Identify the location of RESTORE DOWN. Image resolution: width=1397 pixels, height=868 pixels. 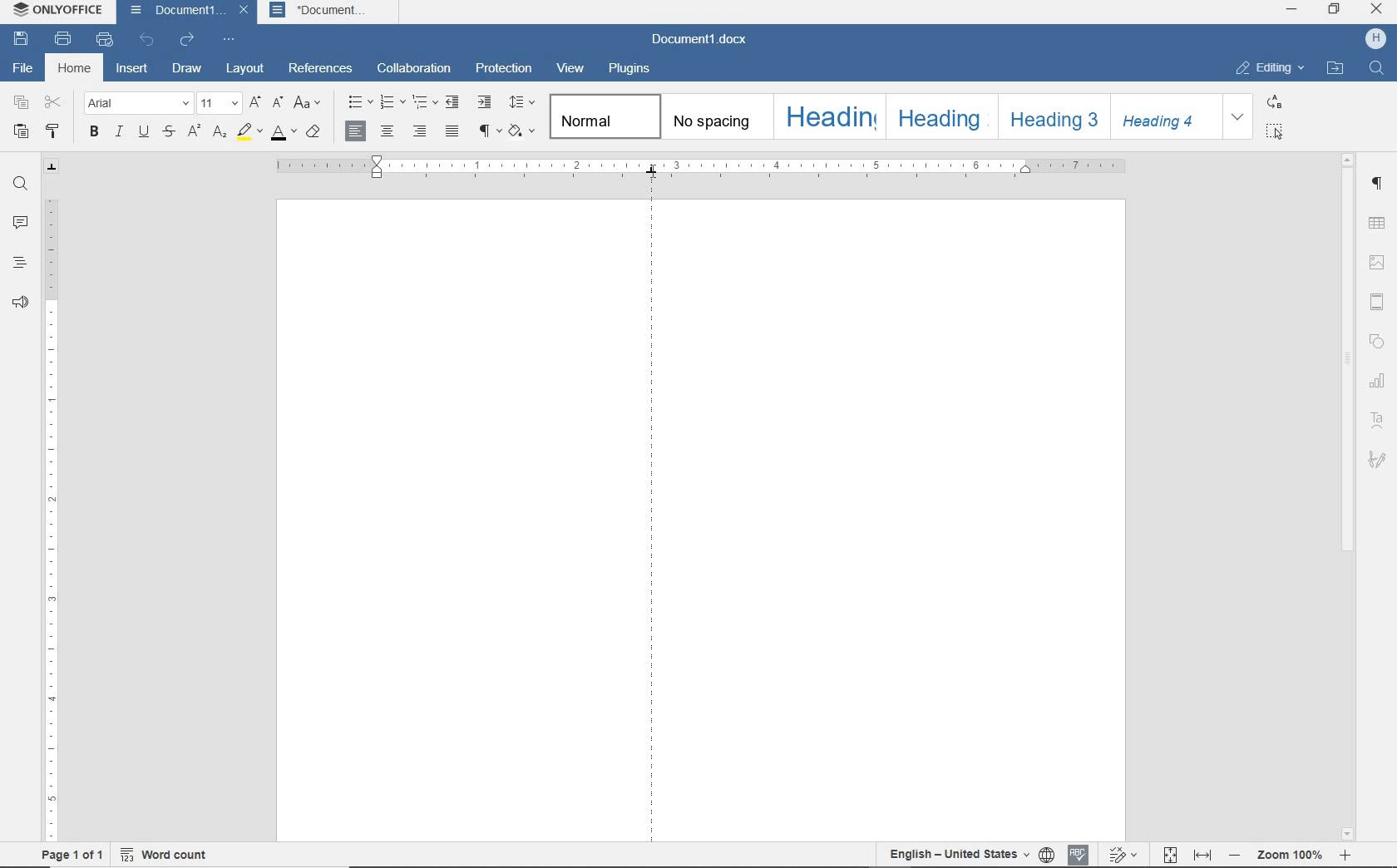
(1334, 11).